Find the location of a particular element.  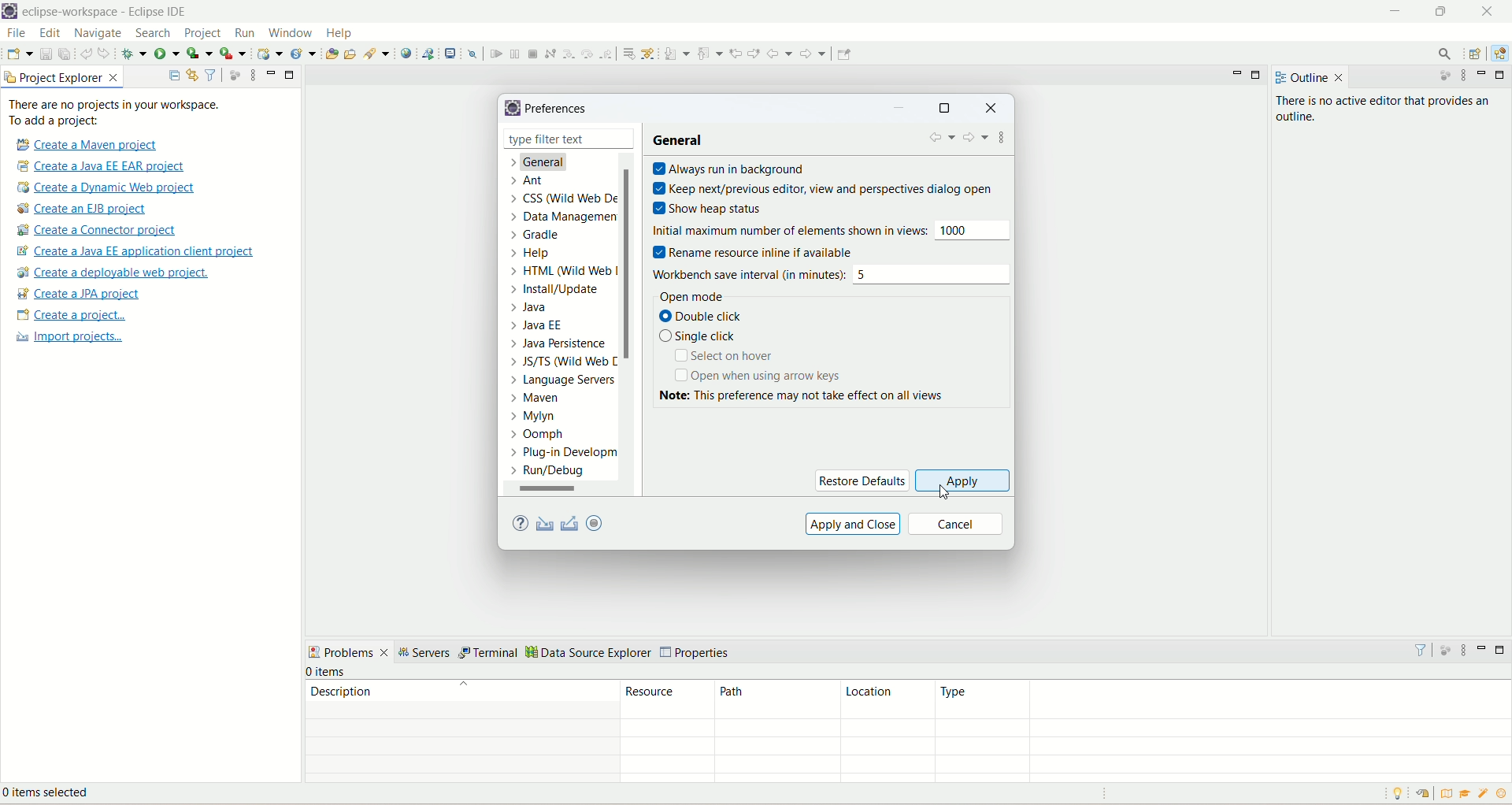

terminate is located at coordinates (535, 54).